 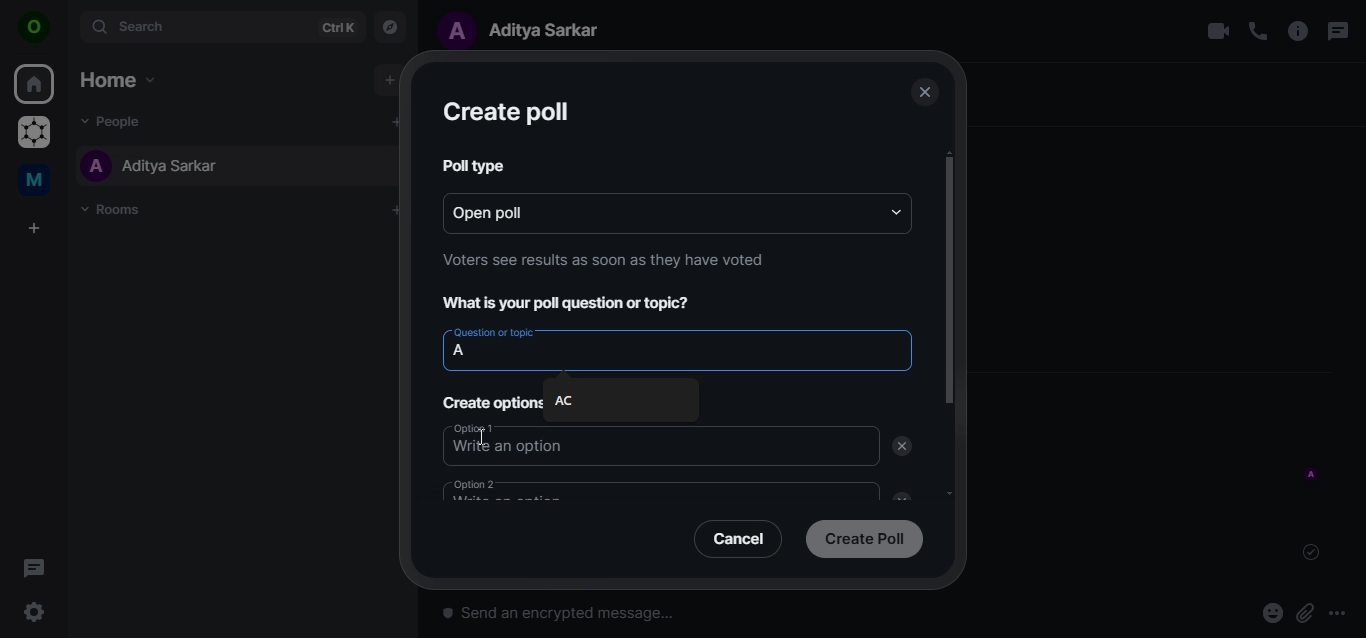 What do you see at coordinates (1336, 31) in the screenshot?
I see `threads` at bounding box center [1336, 31].